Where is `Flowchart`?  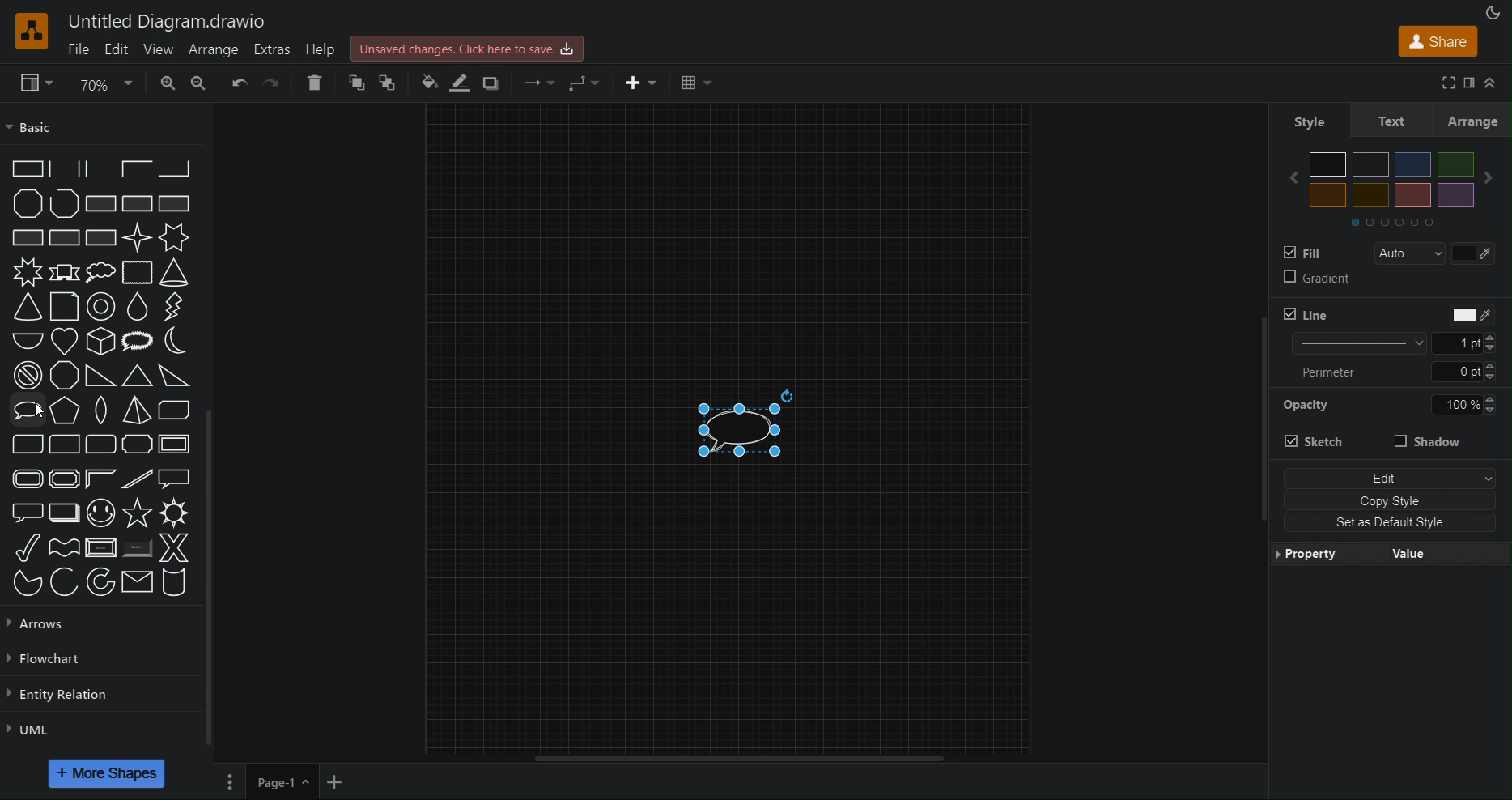 Flowchart is located at coordinates (51, 662).